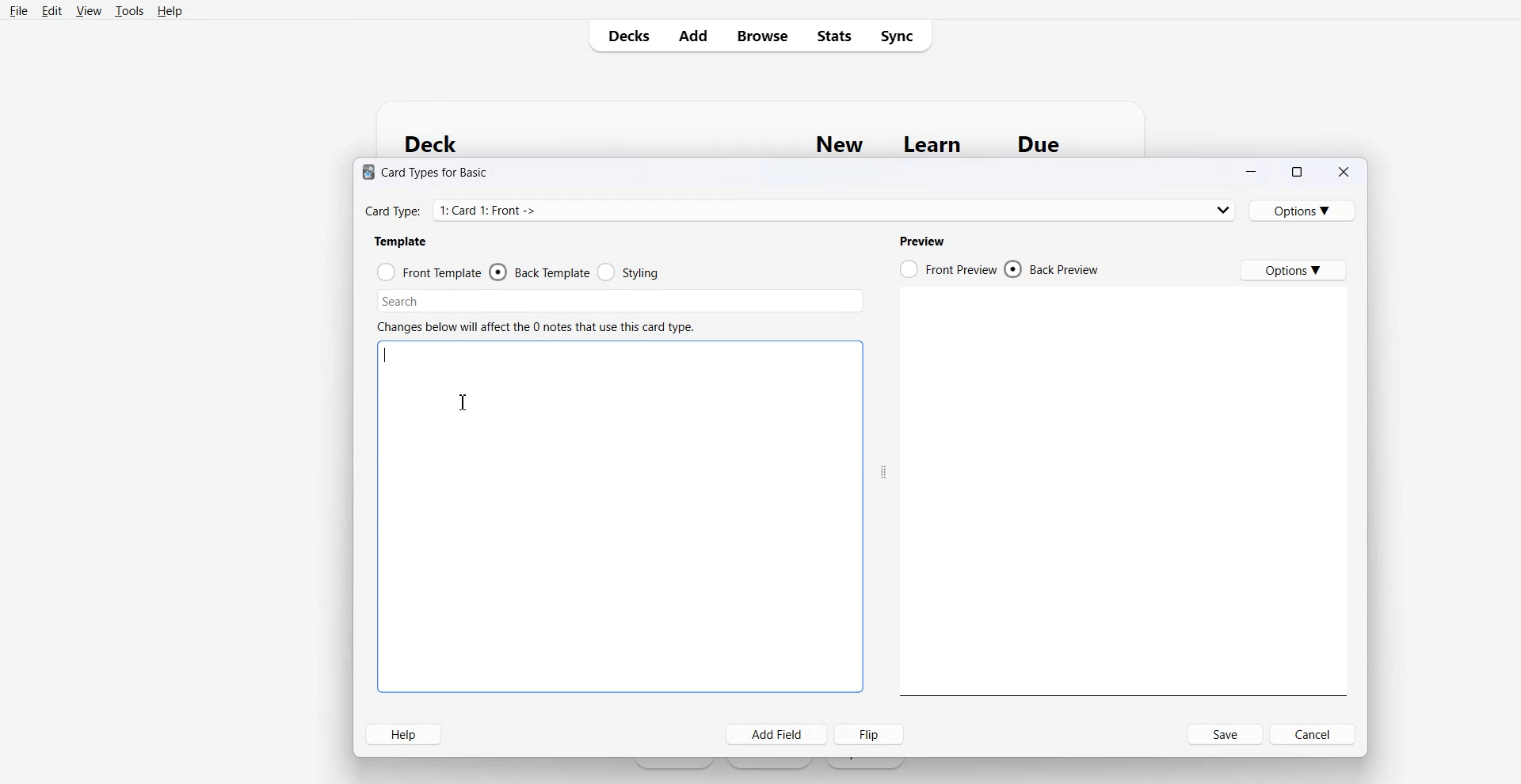 Image resolution: width=1521 pixels, height=784 pixels. What do you see at coordinates (1312, 734) in the screenshot?
I see `Cancel` at bounding box center [1312, 734].